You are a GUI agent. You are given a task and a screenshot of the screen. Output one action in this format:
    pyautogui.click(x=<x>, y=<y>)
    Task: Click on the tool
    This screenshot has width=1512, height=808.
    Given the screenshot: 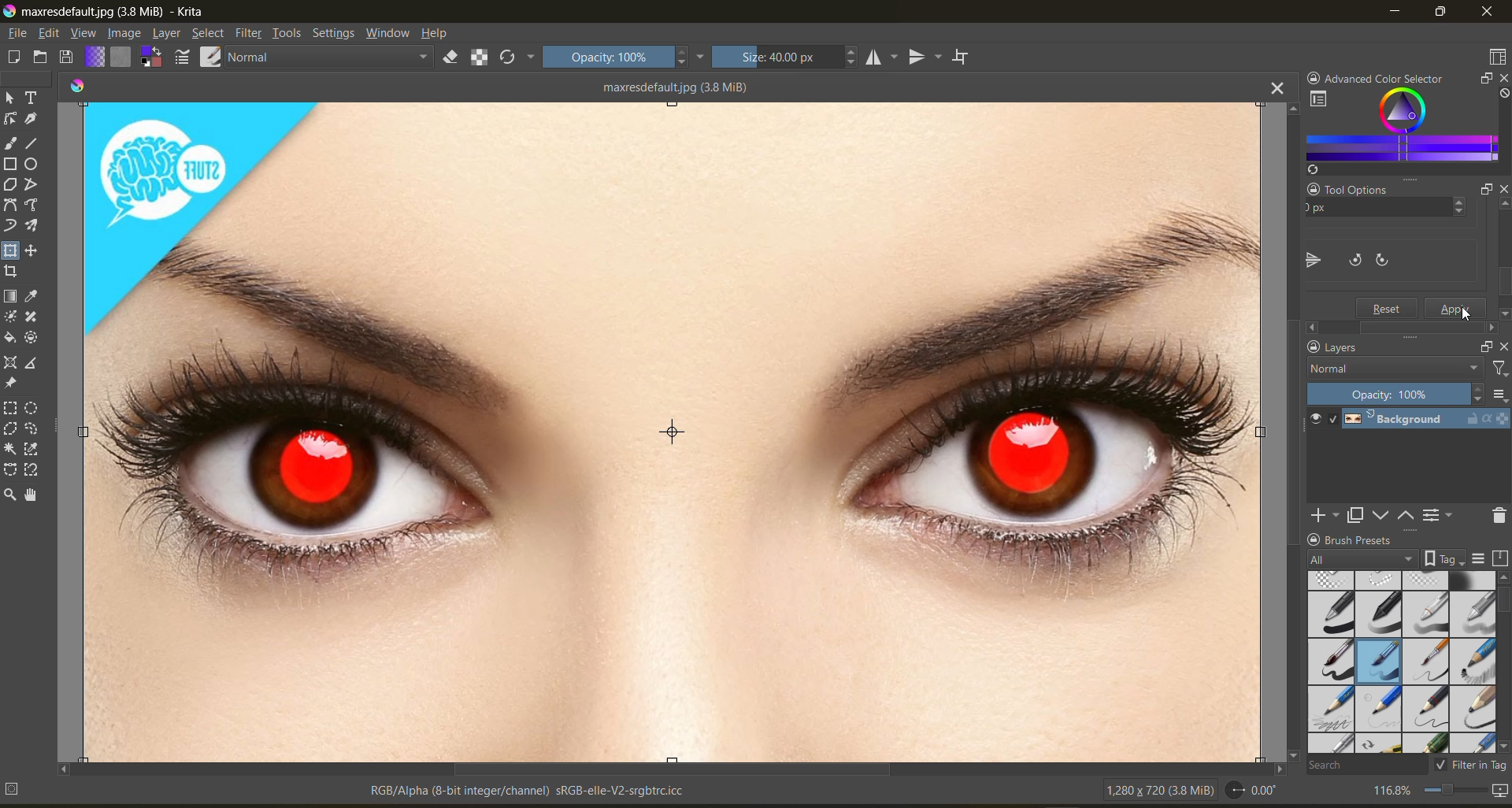 What is the action you would take?
    pyautogui.click(x=11, y=164)
    